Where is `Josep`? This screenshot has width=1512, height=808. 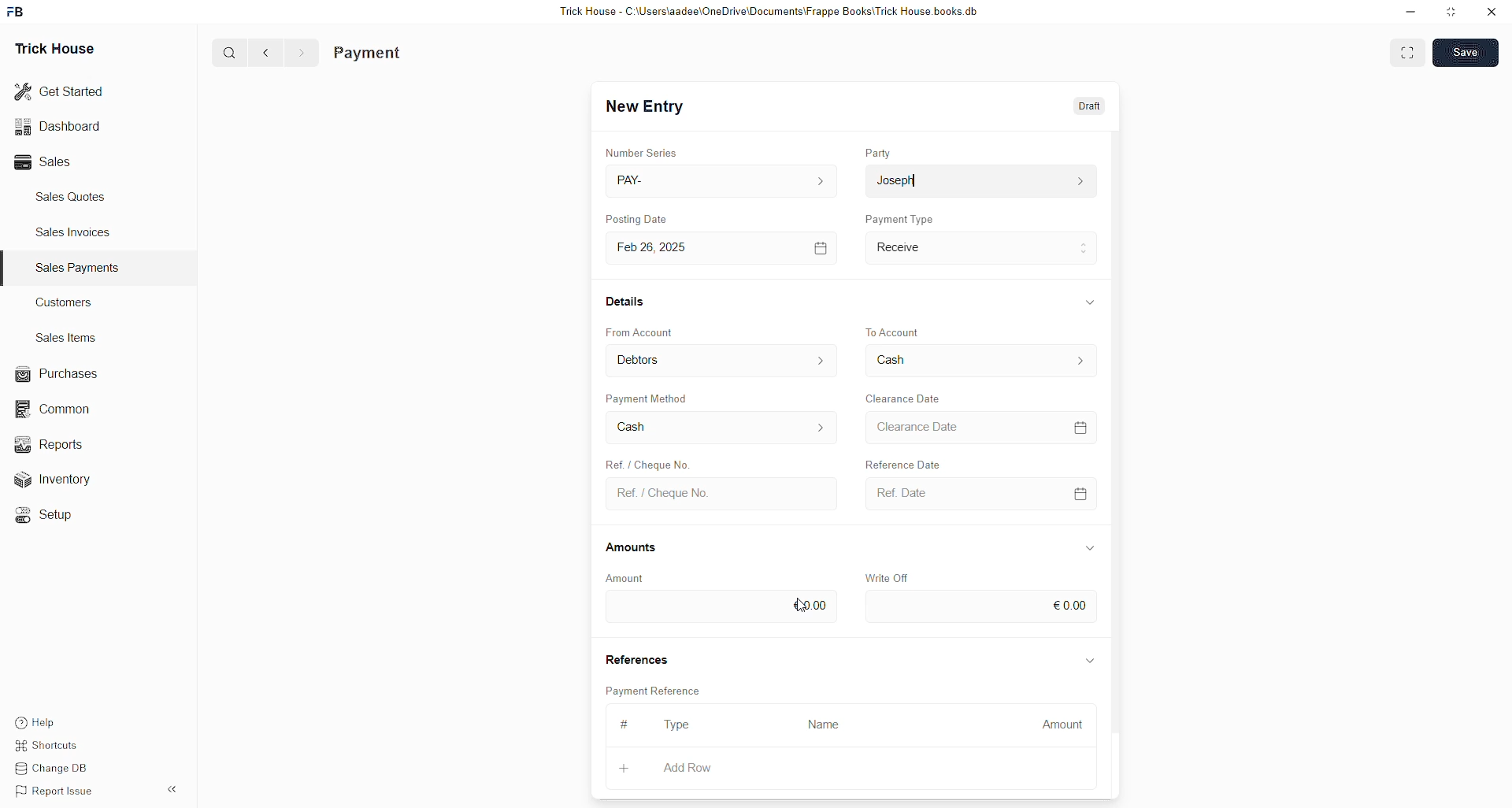 Josep is located at coordinates (980, 180).